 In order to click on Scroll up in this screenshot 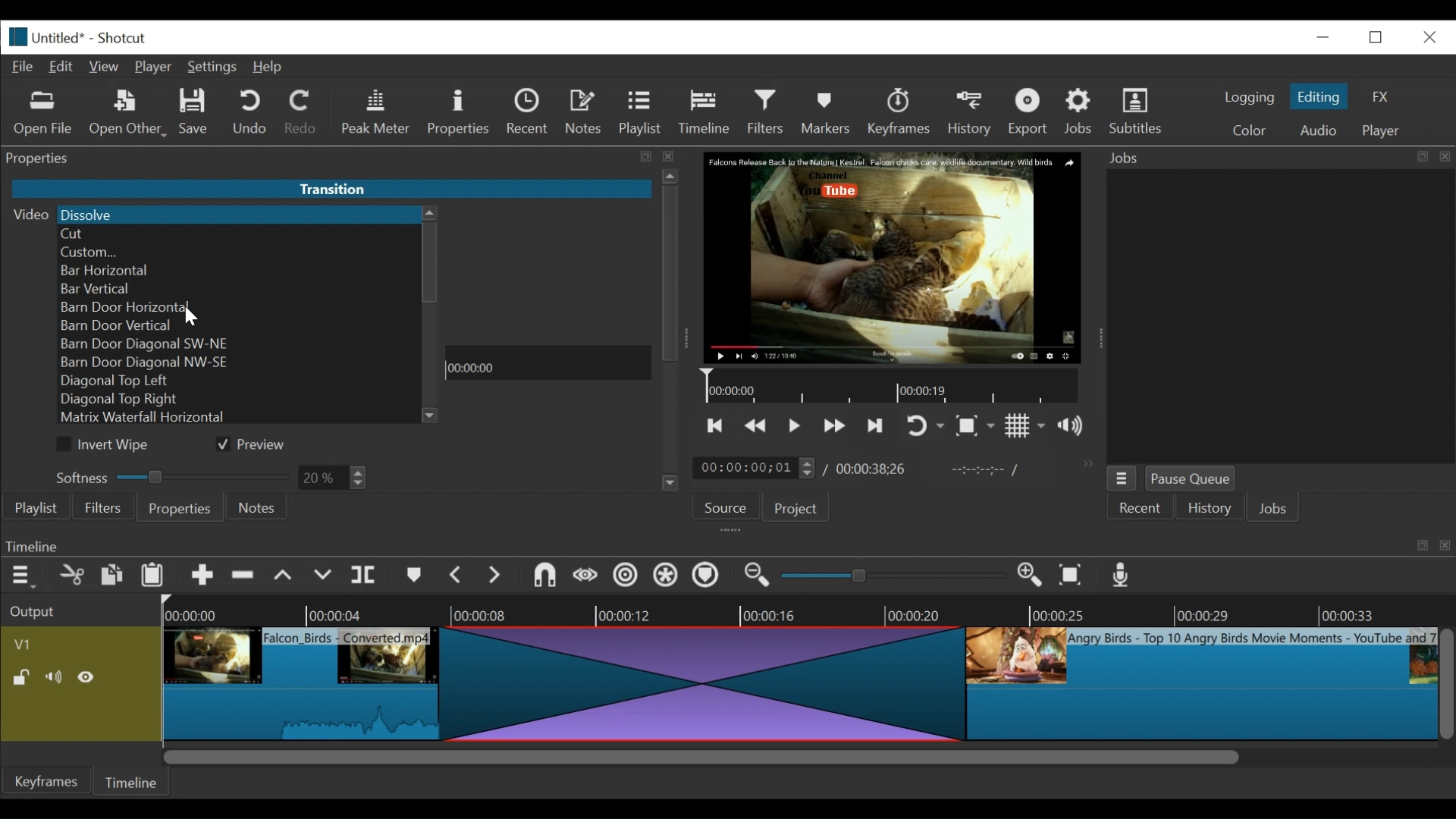, I will do `click(430, 214)`.